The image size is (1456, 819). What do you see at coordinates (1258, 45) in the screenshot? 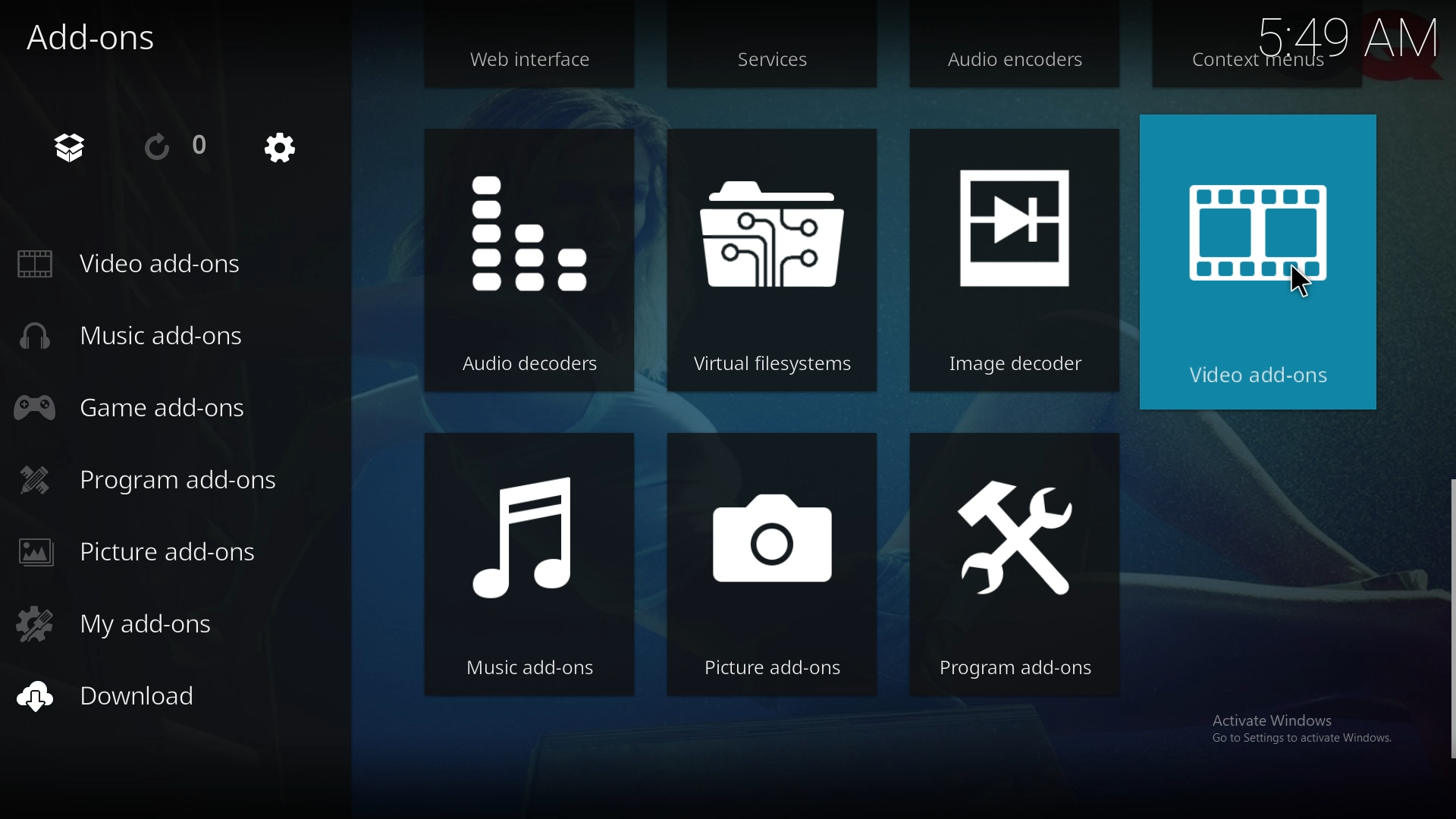
I see `context menus` at bounding box center [1258, 45].